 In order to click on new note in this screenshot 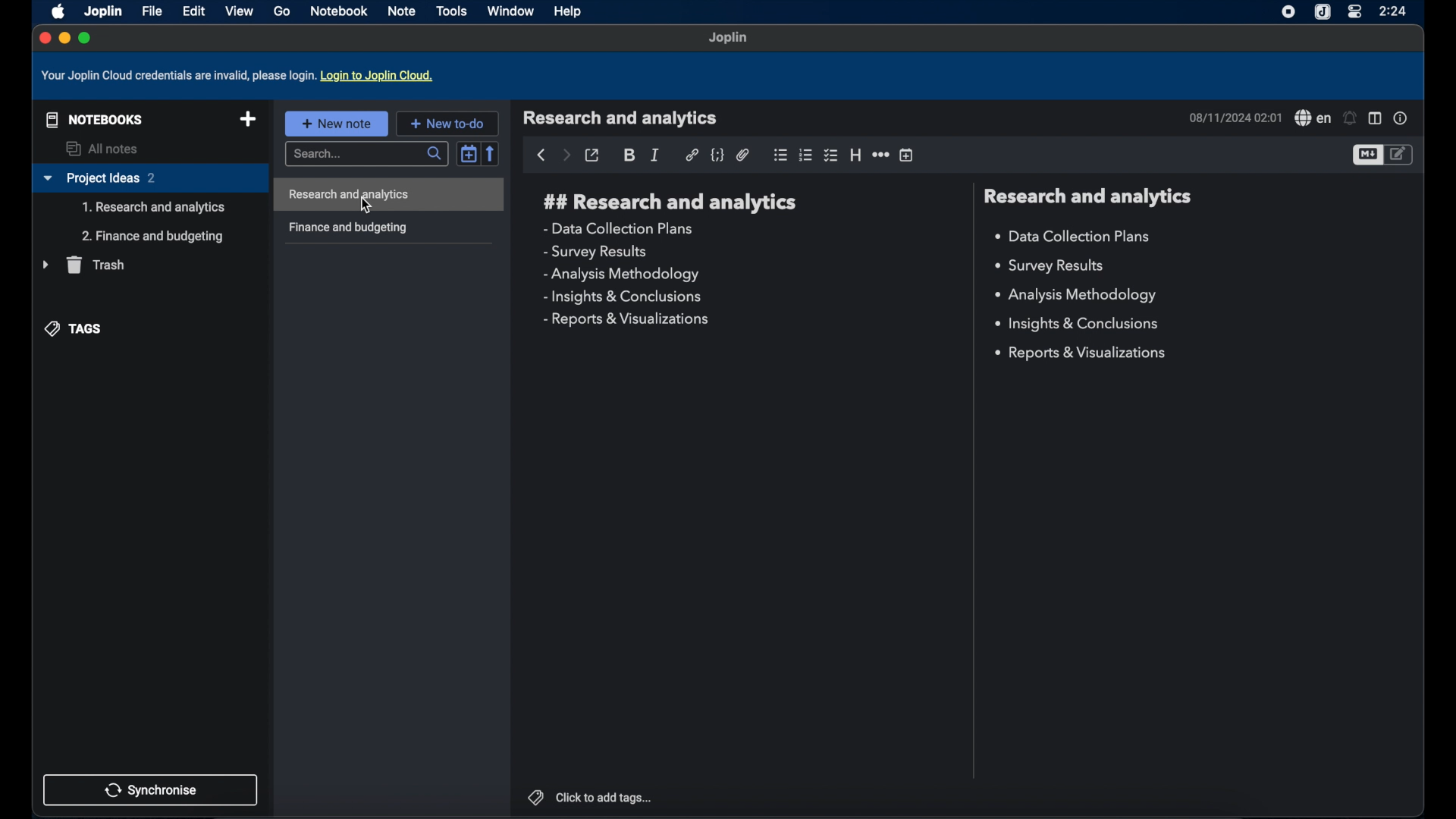, I will do `click(336, 123)`.